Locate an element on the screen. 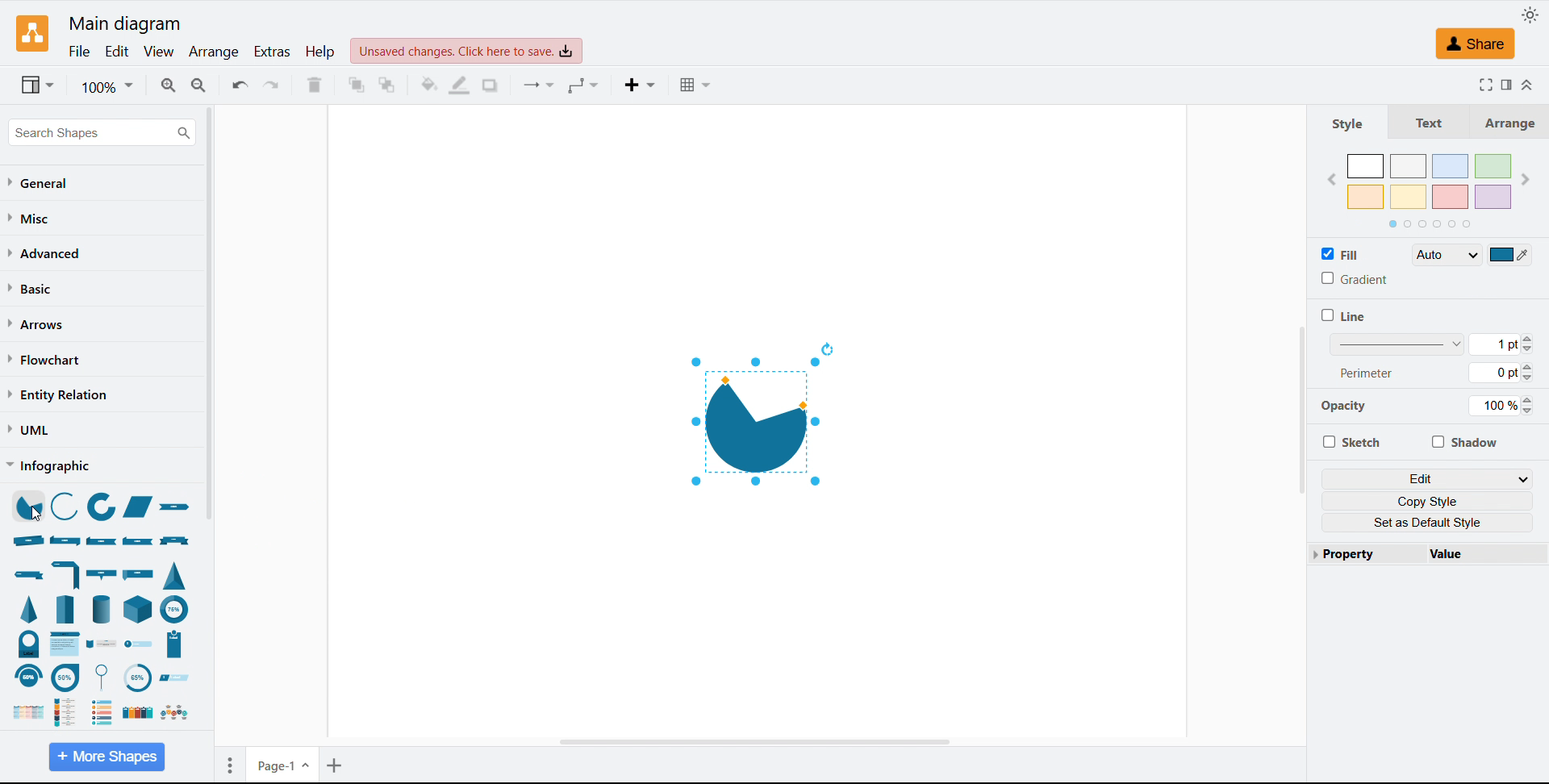 The width and height of the screenshot is (1549, 784). help  is located at coordinates (320, 52).